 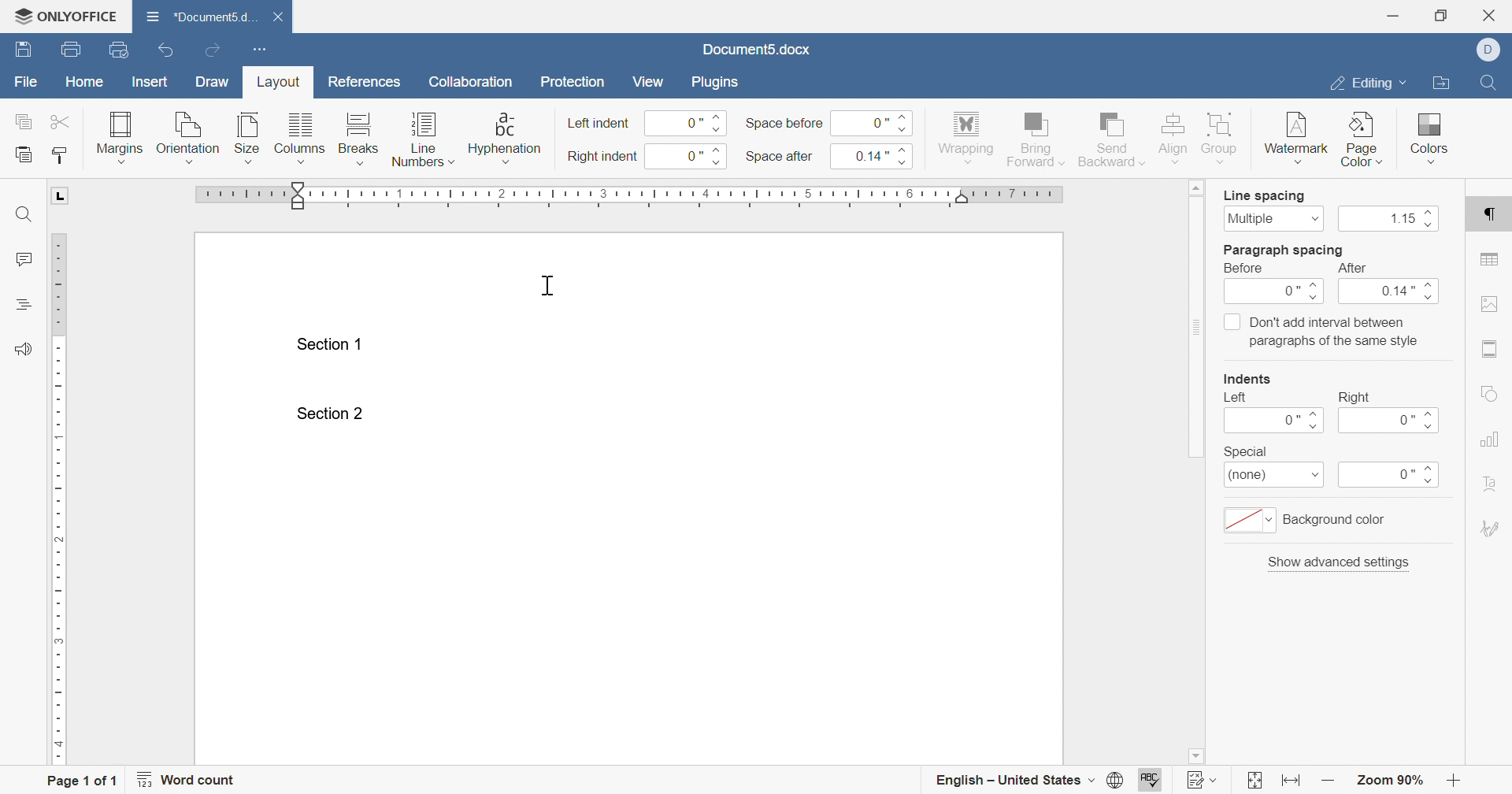 I want to click on print, so click(x=75, y=50).